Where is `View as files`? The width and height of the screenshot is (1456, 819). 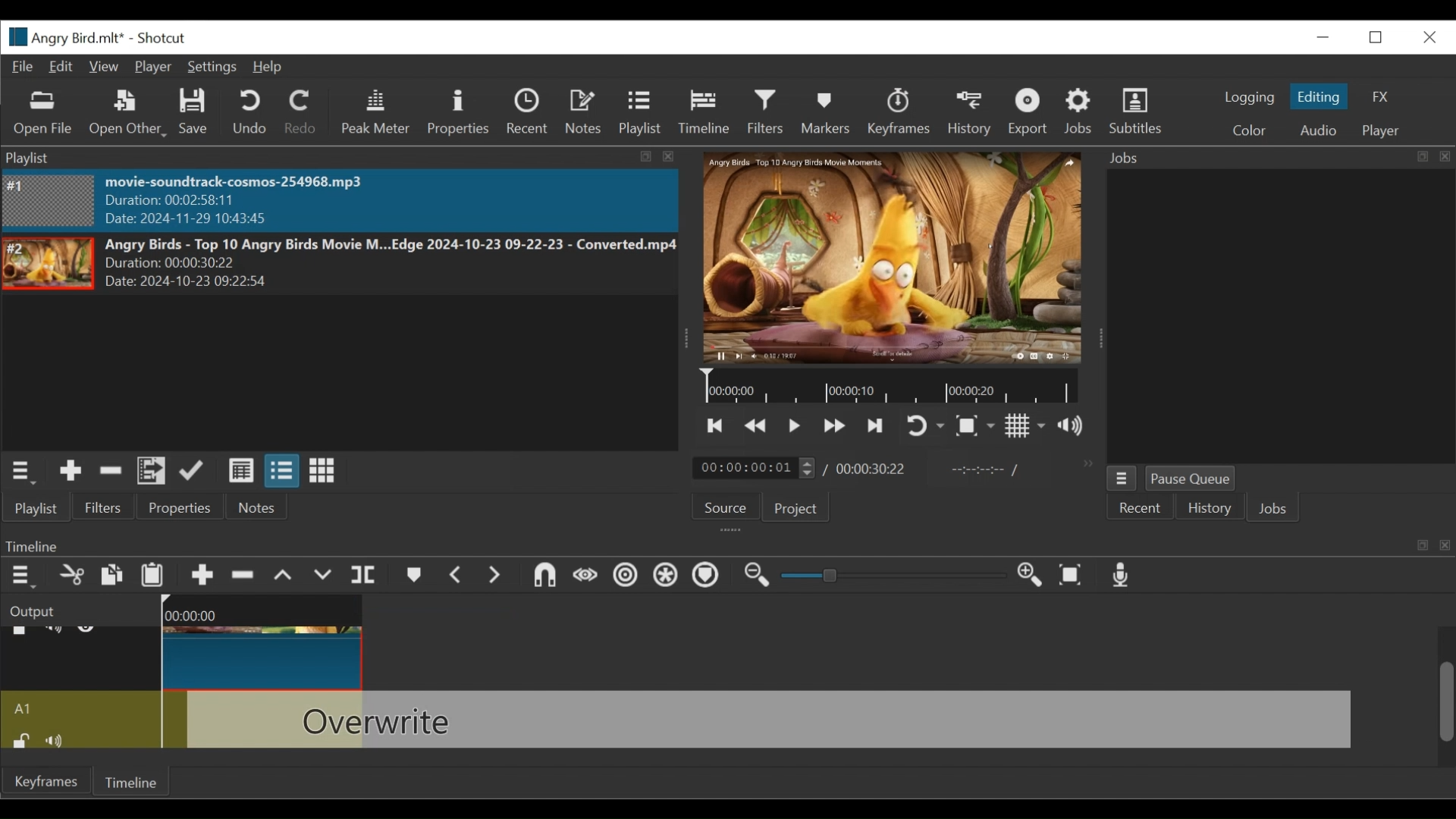
View as files is located at coordinates (281, 472).